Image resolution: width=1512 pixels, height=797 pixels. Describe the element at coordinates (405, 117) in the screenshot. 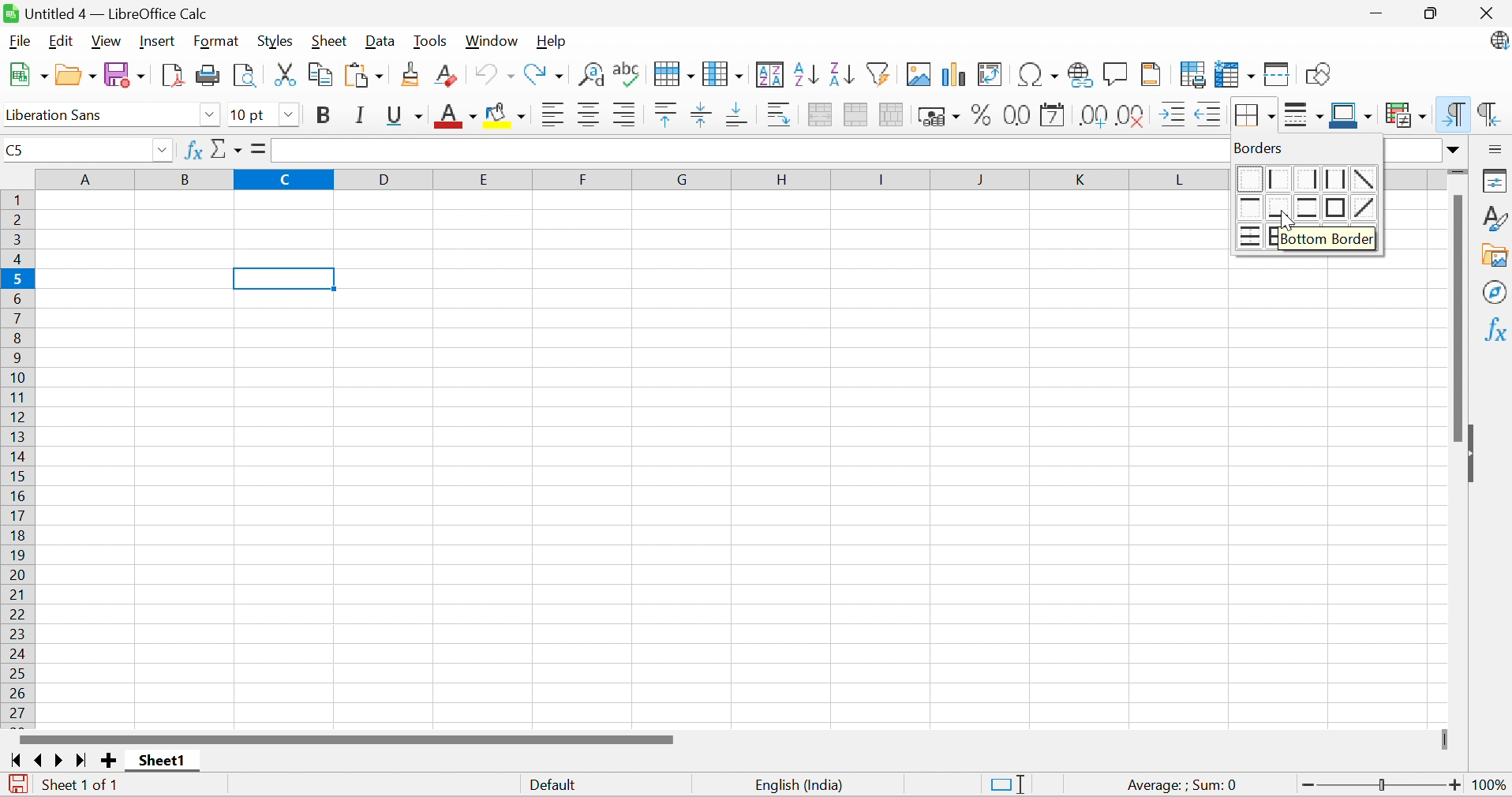

I see `Underline` at that location.